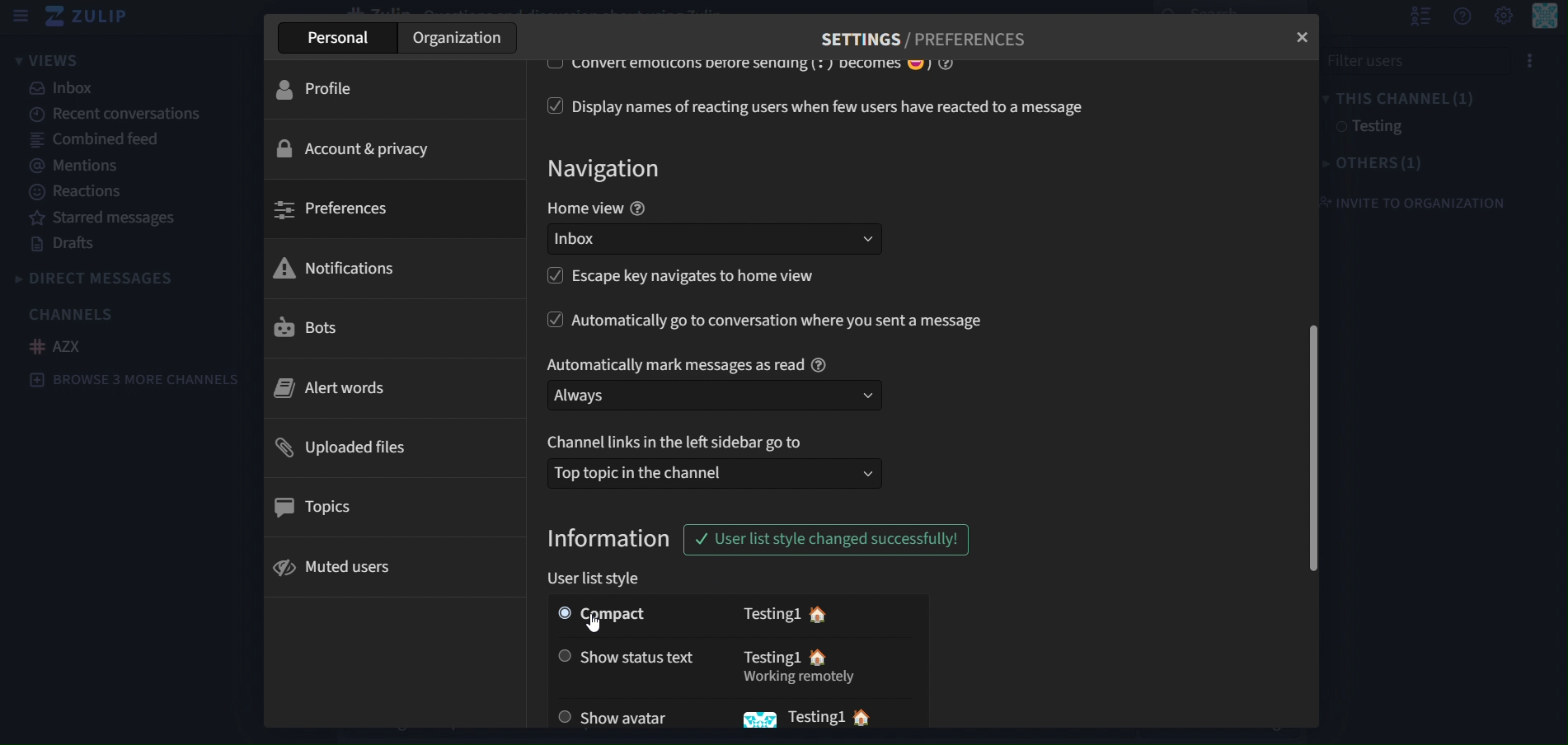 The width and height of the screenshot is (1568, 745). I want to click on others(1), so click(1376, 162).